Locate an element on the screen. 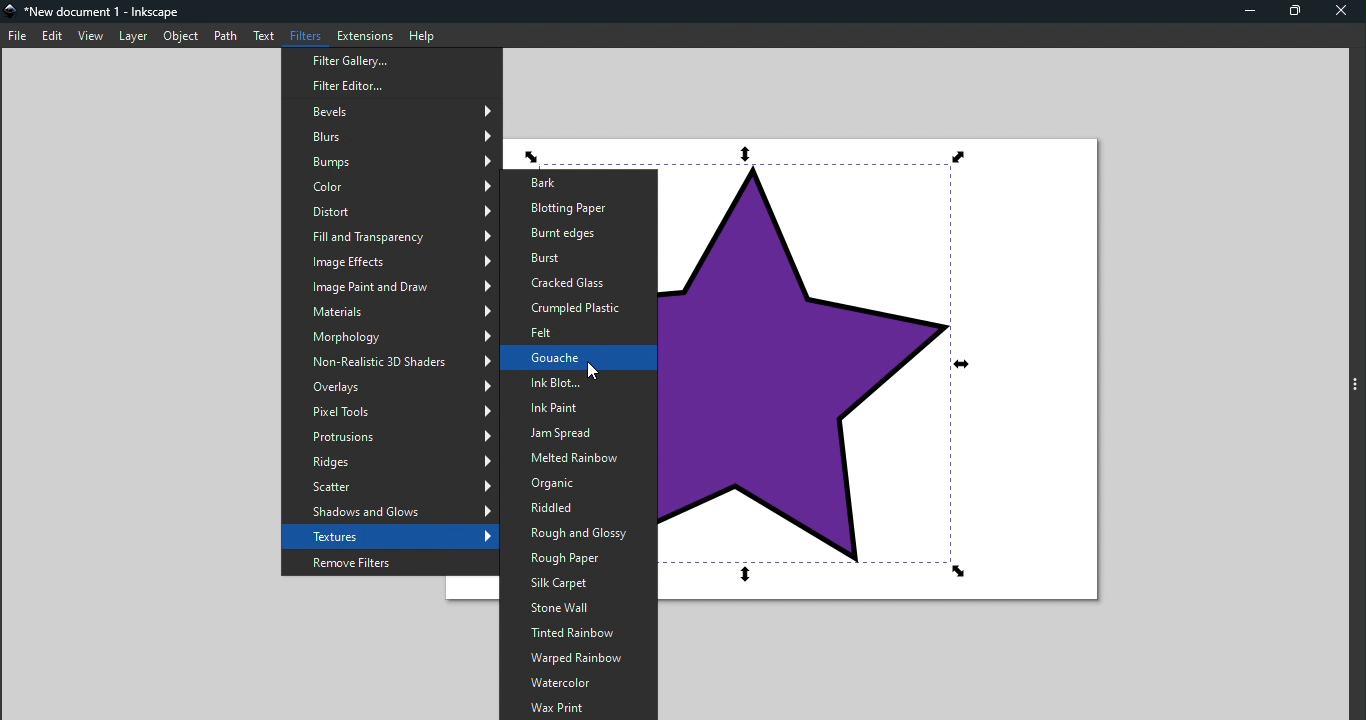 This screenshot has width=1366, height=720. View is located at coordinates (91, 35).